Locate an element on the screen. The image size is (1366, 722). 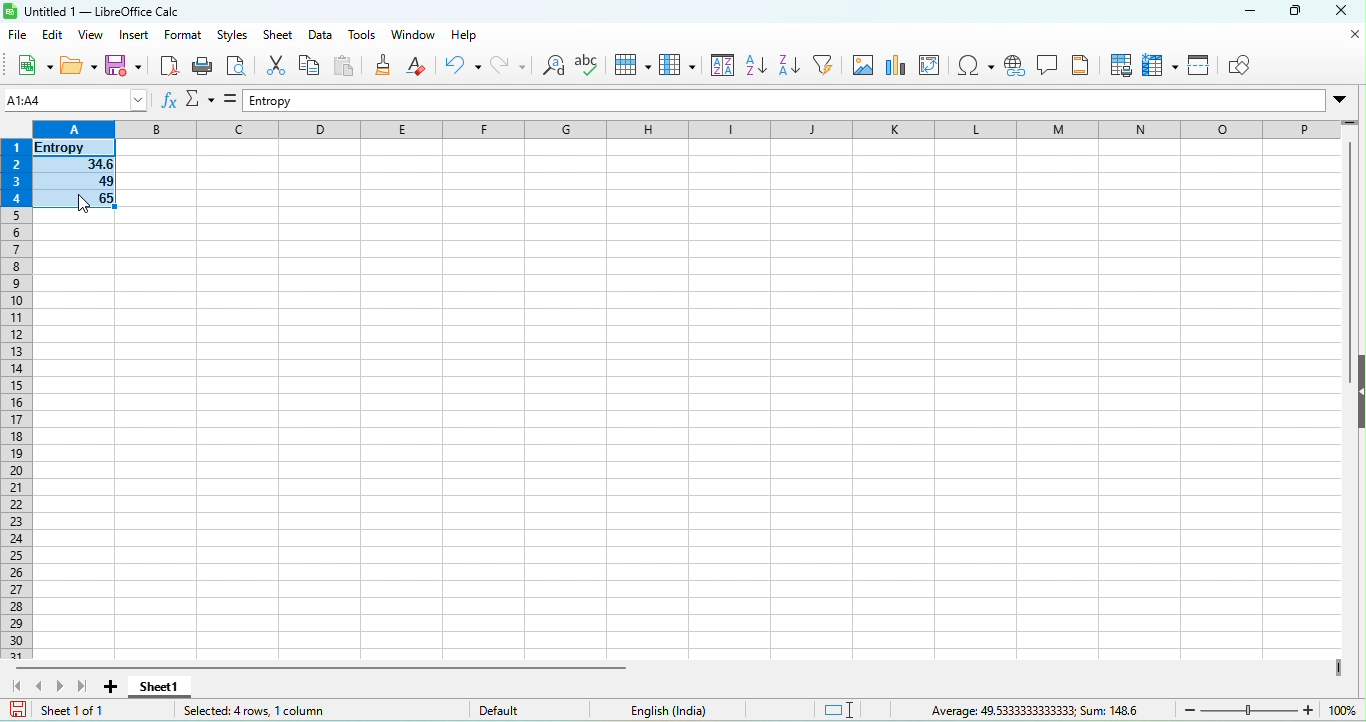
zoom slider is located at coordinates (1251, 709).